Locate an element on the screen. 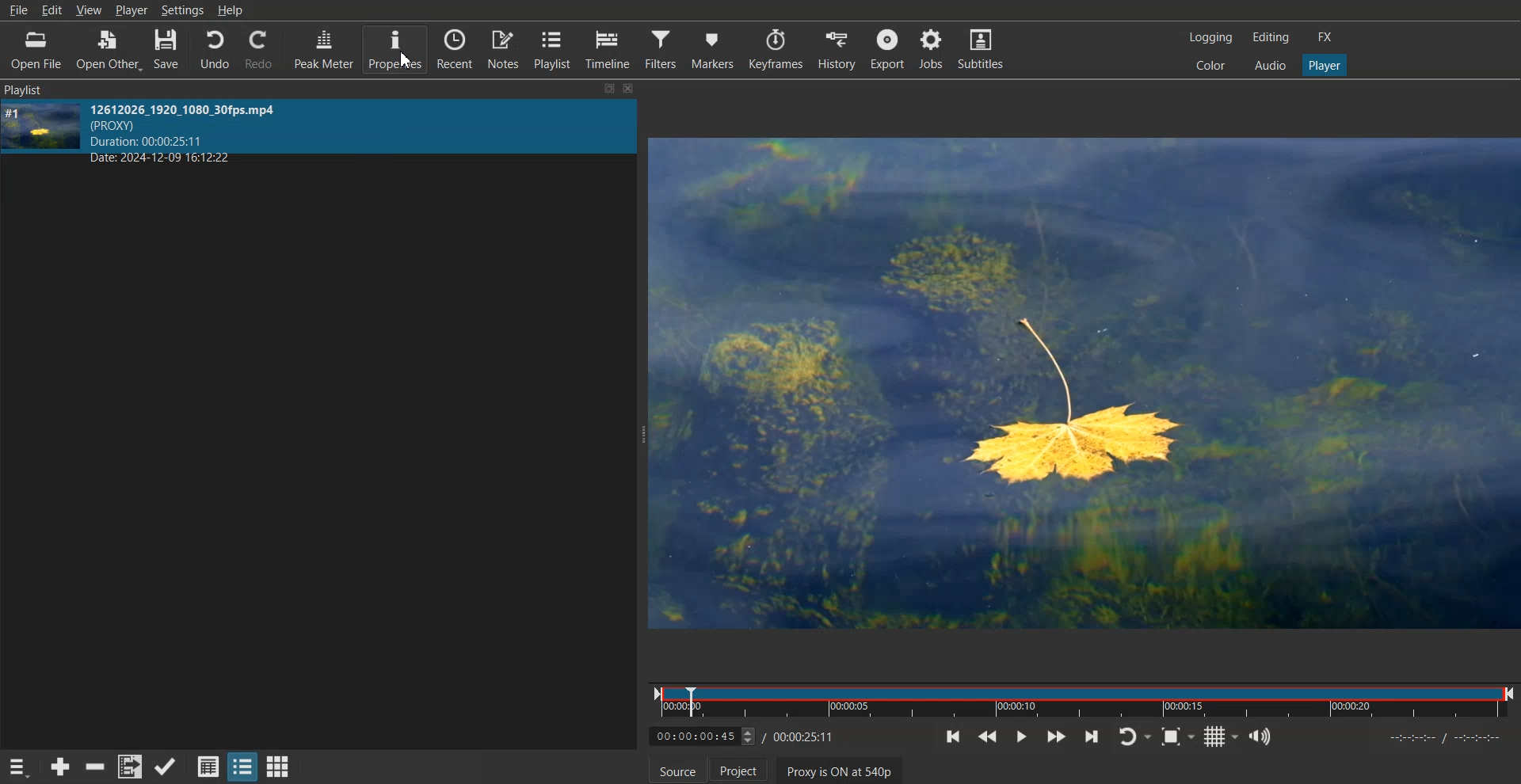 This screenshot has width=1521, height=784. Timeline is located at coordinates (1083, 698).